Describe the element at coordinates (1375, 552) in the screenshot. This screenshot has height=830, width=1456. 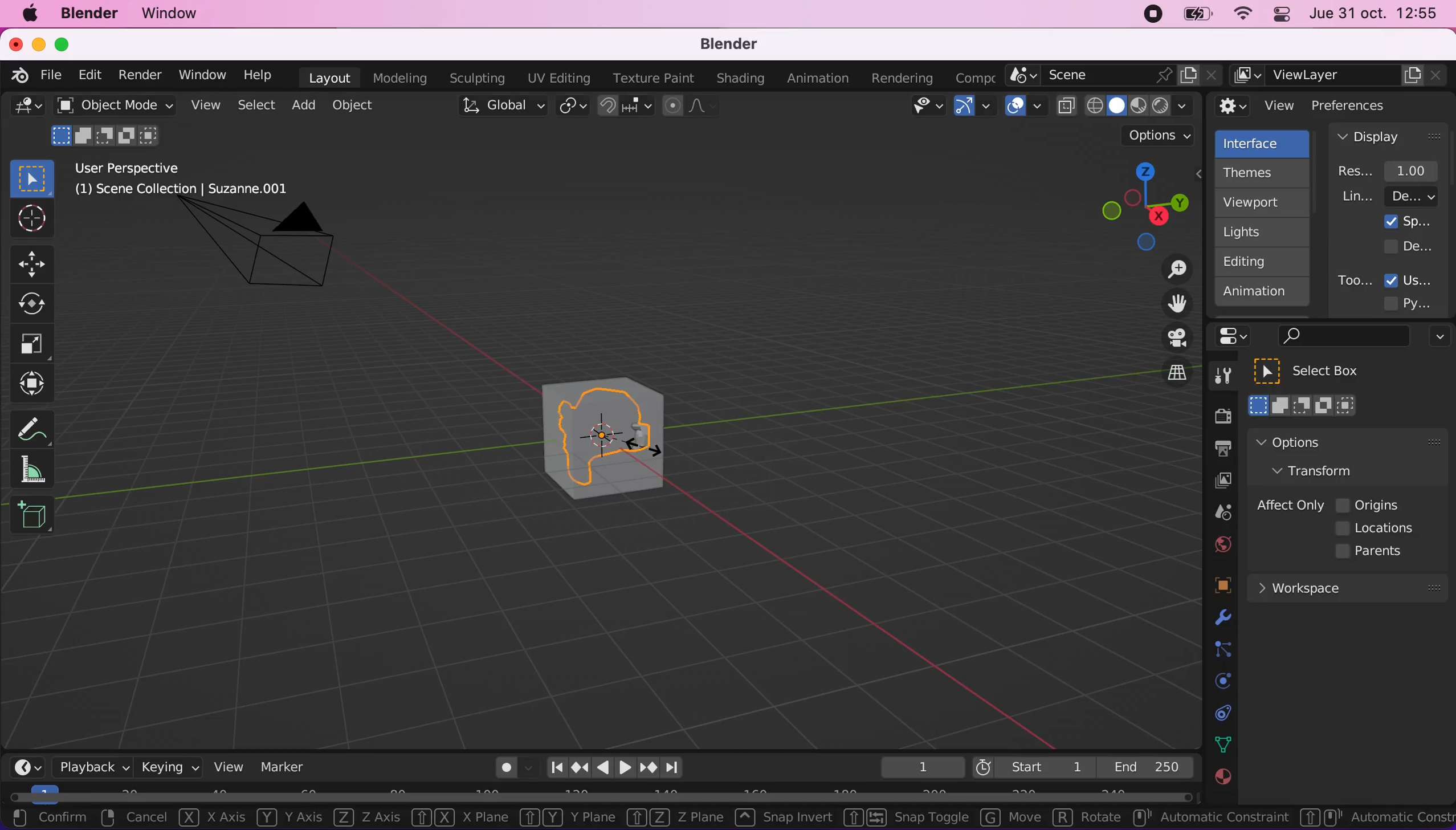
I see `parents` at that location.